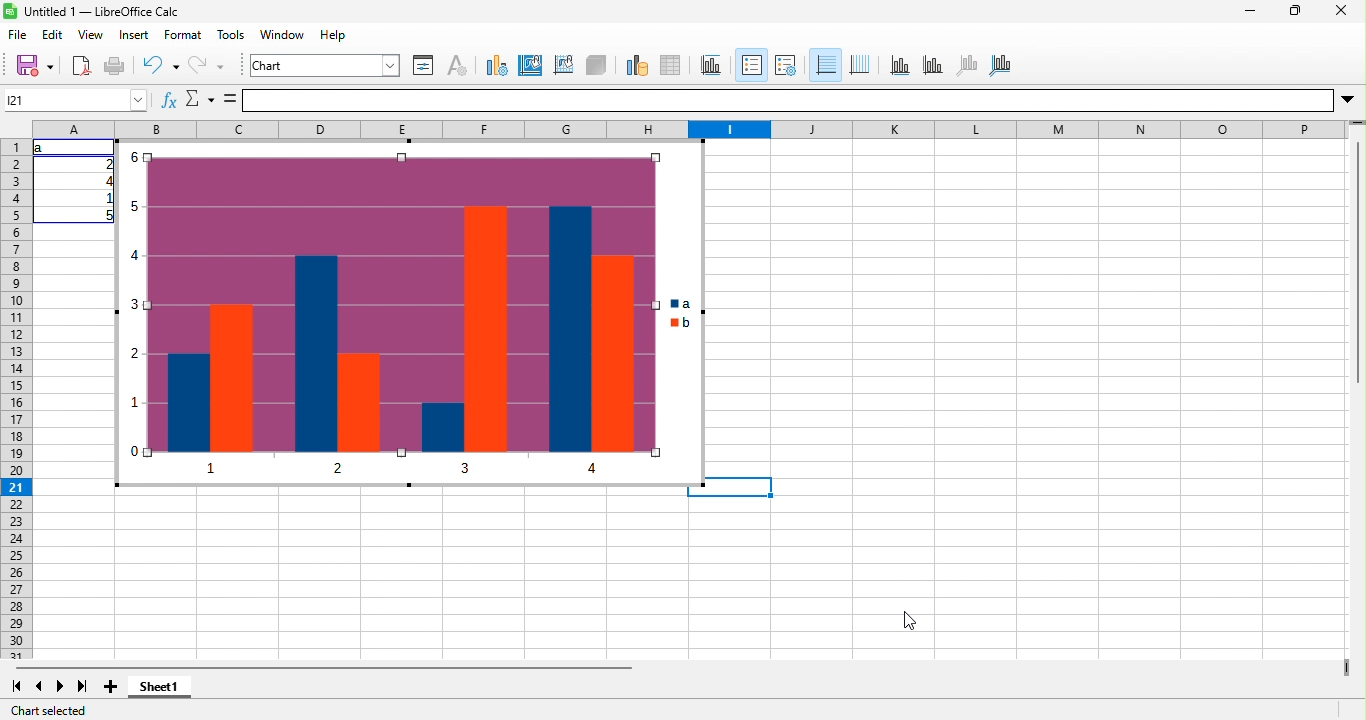  What do you see at coordinates (752, 65) in the screenshot?
I see `legend on/off` at bounding box center [752, 65].